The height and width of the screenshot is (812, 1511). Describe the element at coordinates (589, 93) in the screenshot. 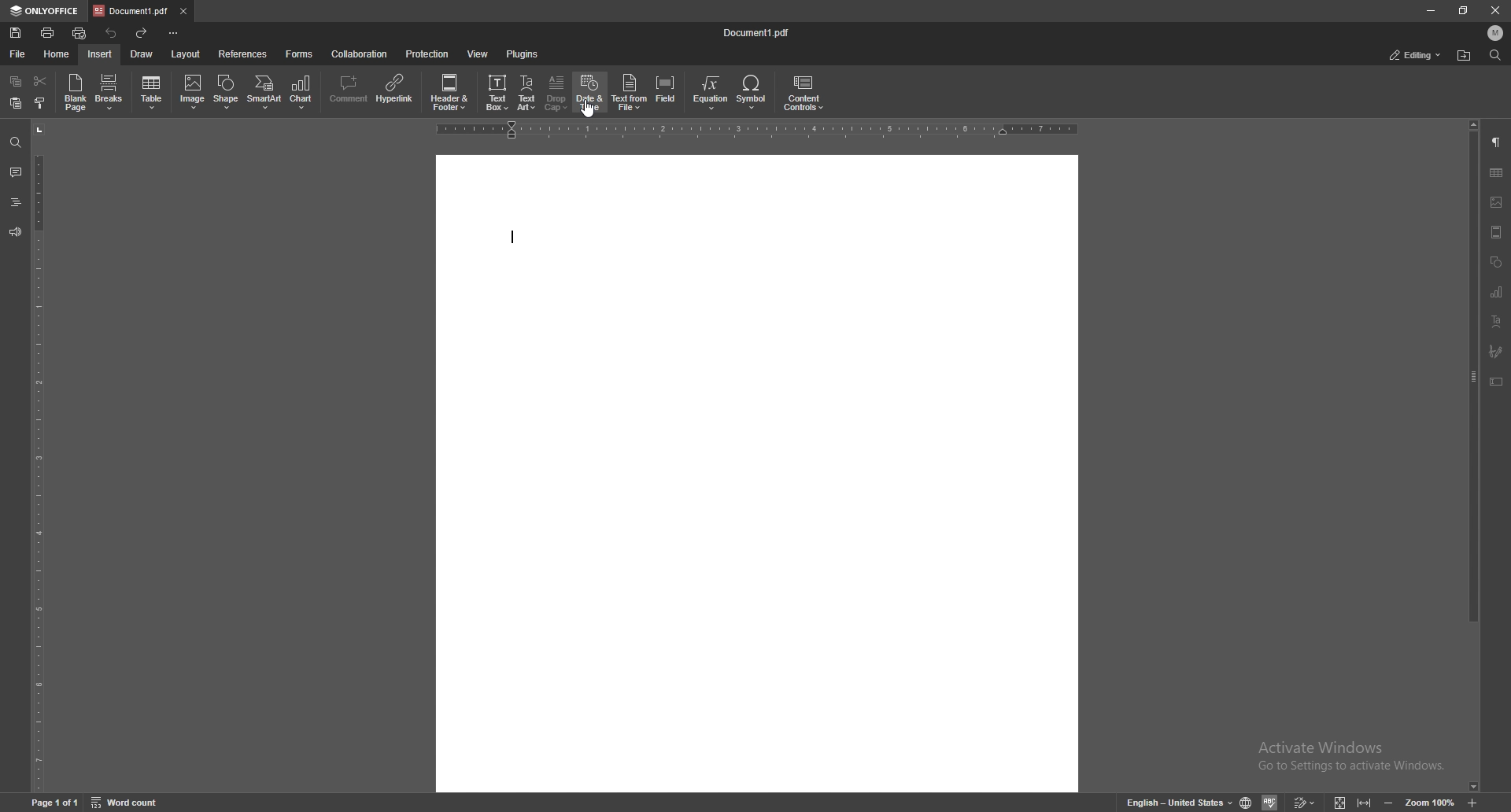

I see `date and time` at that location.